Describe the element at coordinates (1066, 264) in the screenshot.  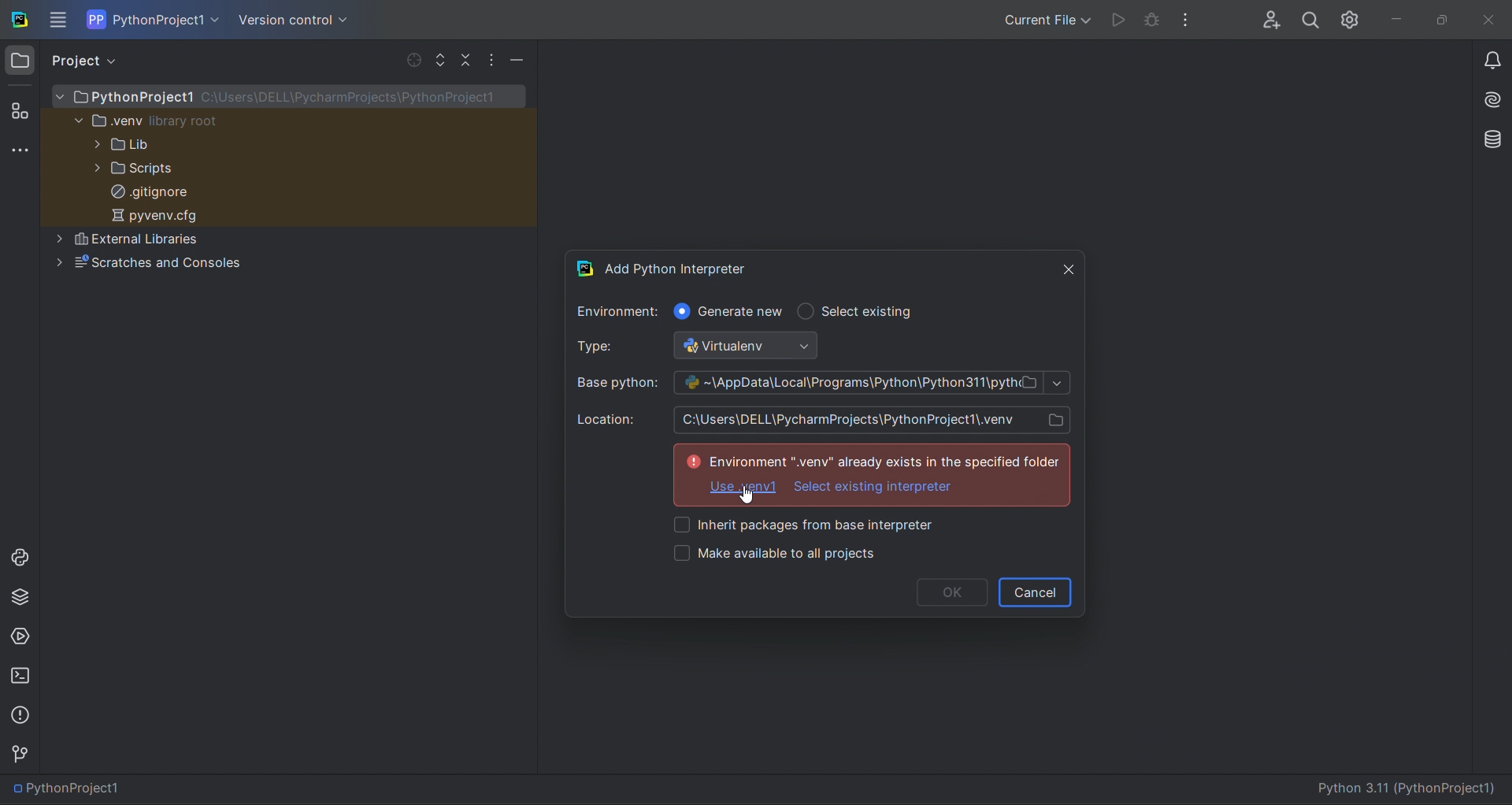
I see `close` at that location.